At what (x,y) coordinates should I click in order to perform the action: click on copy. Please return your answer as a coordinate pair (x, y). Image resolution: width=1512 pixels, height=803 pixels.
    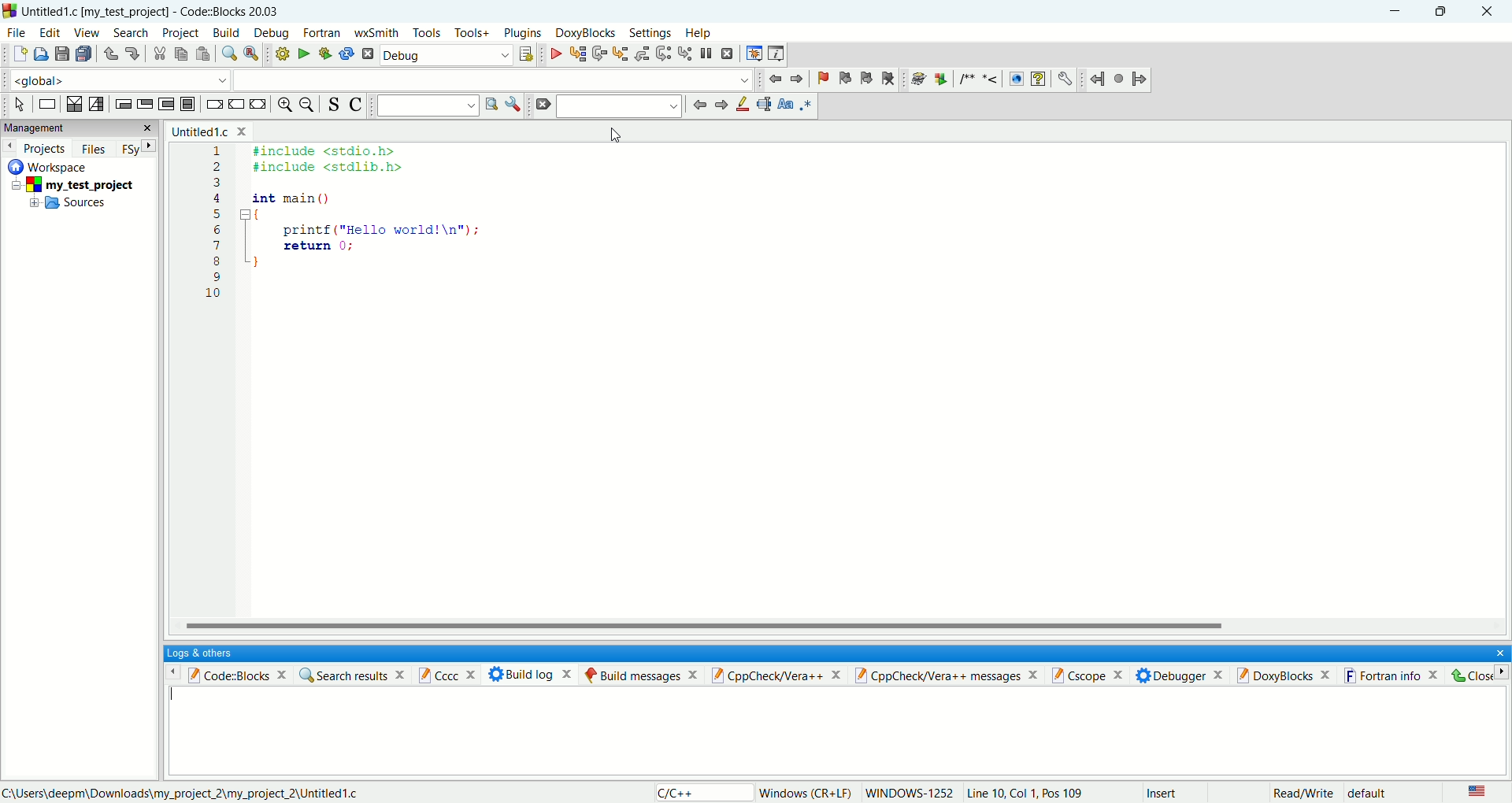
    Looking at the image, I should click on (181, 55).